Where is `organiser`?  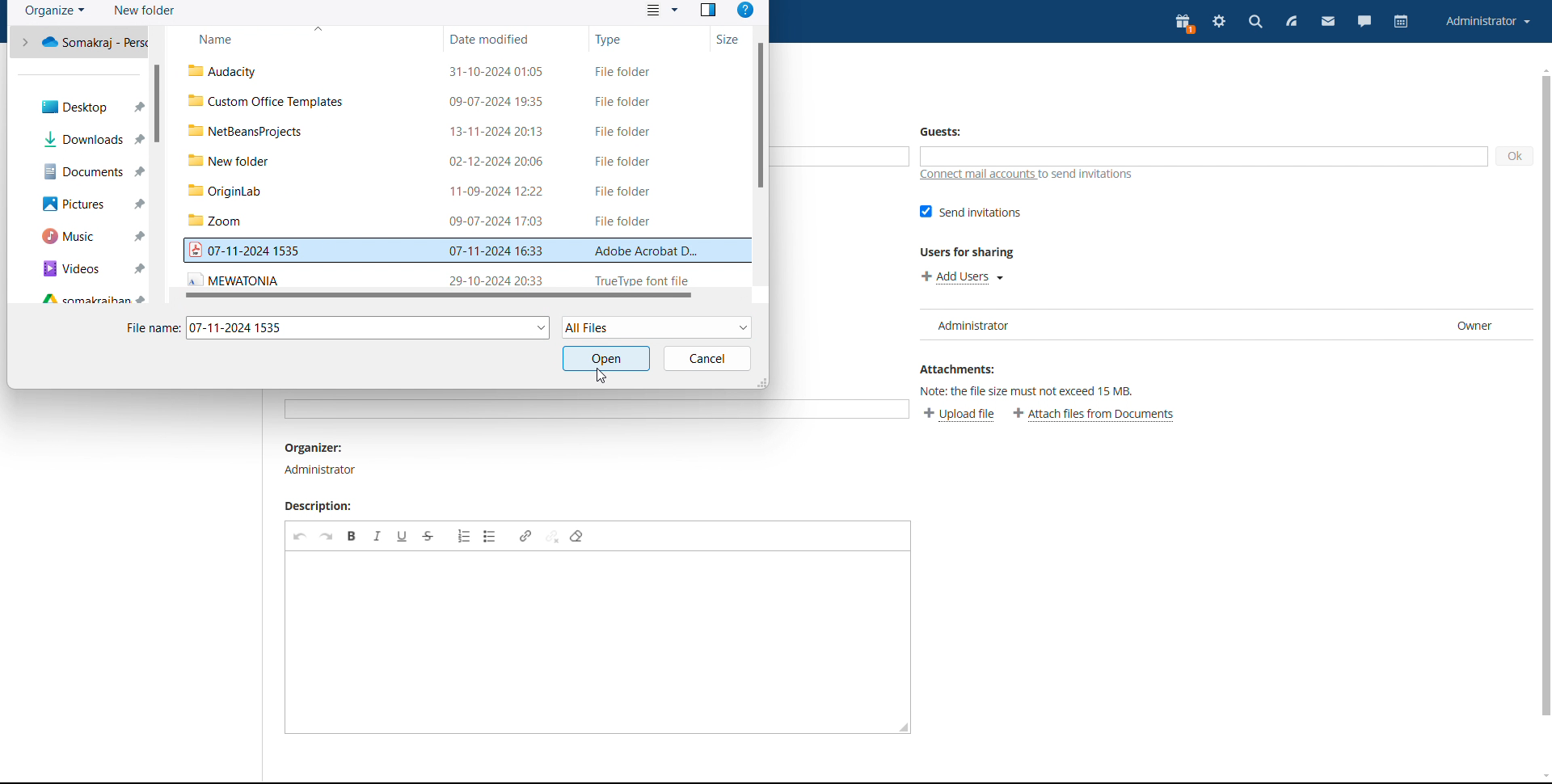
organiser is located at coordinates (322, 460).